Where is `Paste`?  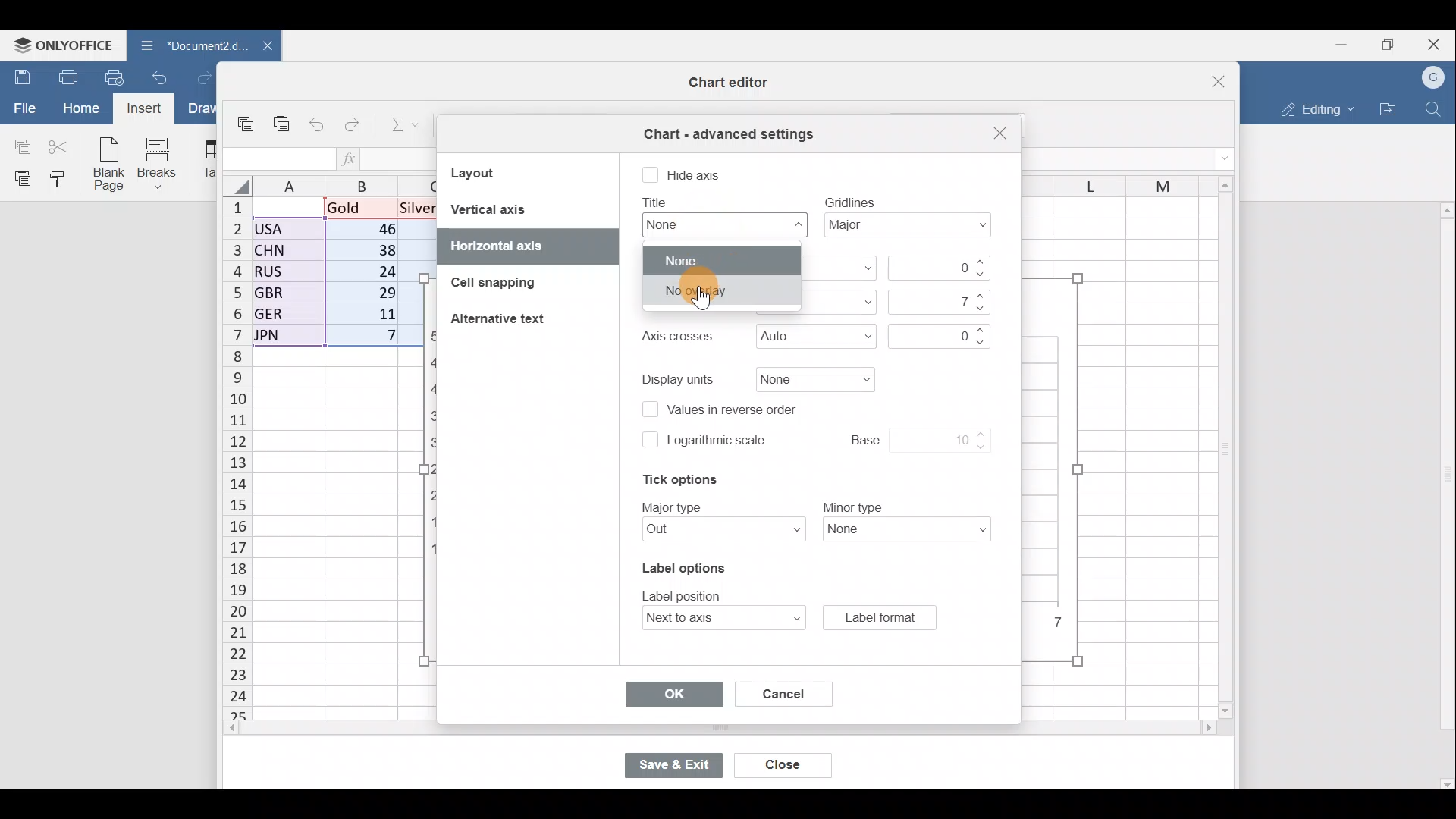
Paste is located at coordinates (281, 117).